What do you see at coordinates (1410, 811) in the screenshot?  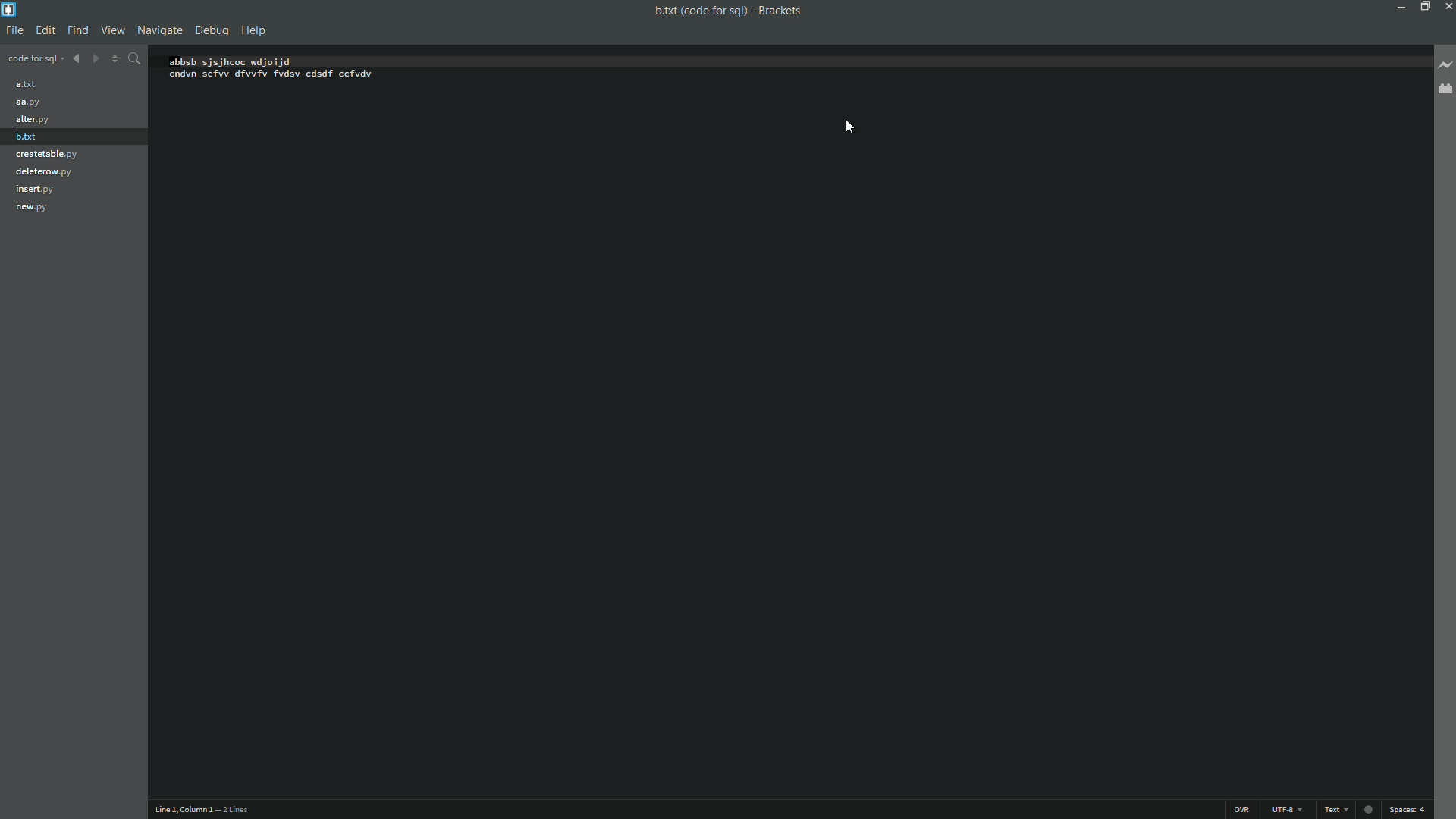 I see `space` at bounding box center [1410, 811].